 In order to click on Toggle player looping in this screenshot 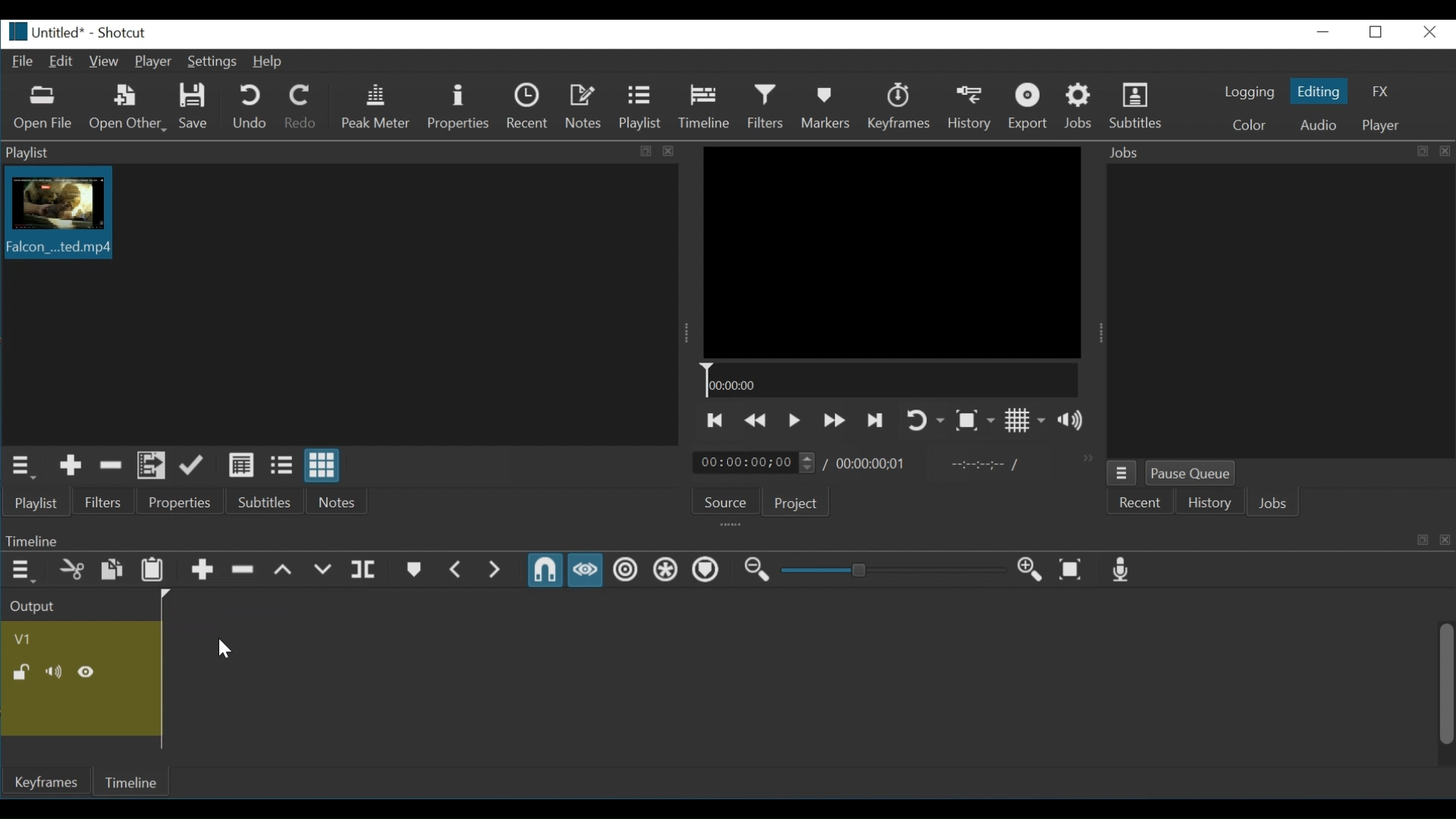, I will do `click(926, 421)`.